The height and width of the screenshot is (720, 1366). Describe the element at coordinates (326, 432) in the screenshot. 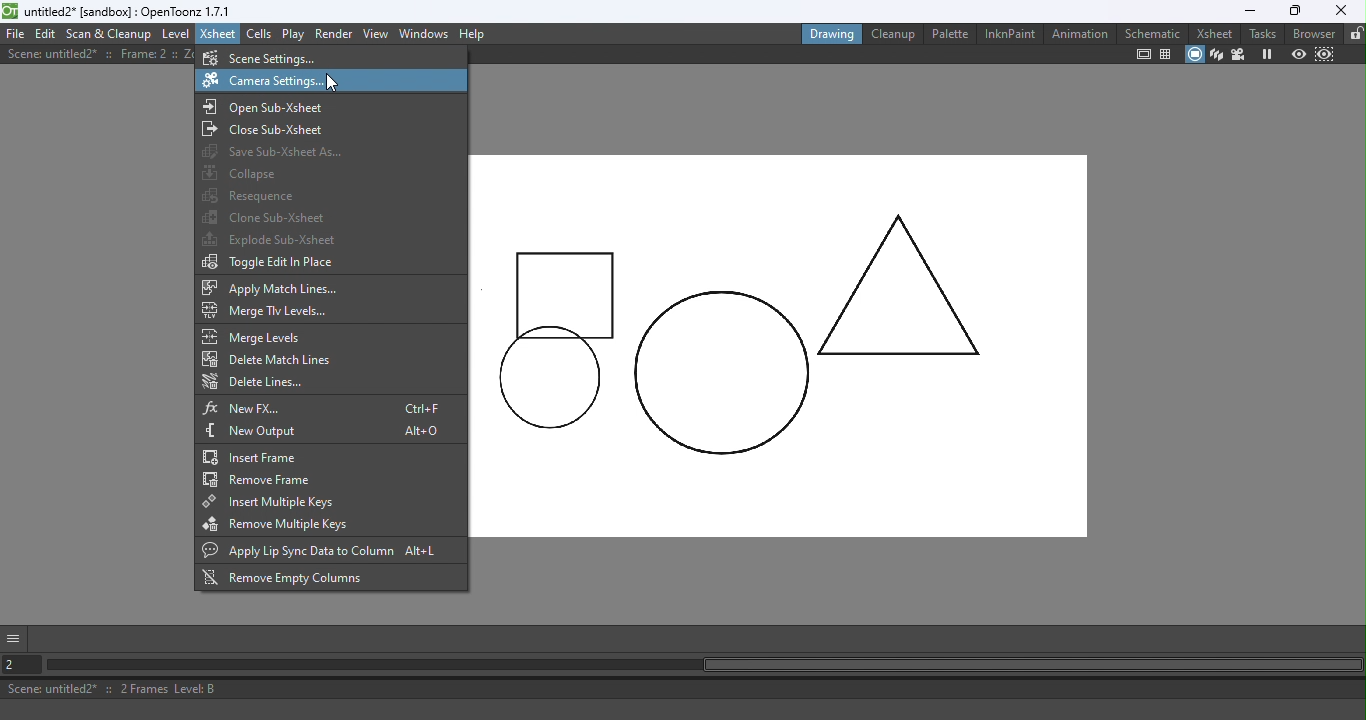

I see `New Output` at that location.